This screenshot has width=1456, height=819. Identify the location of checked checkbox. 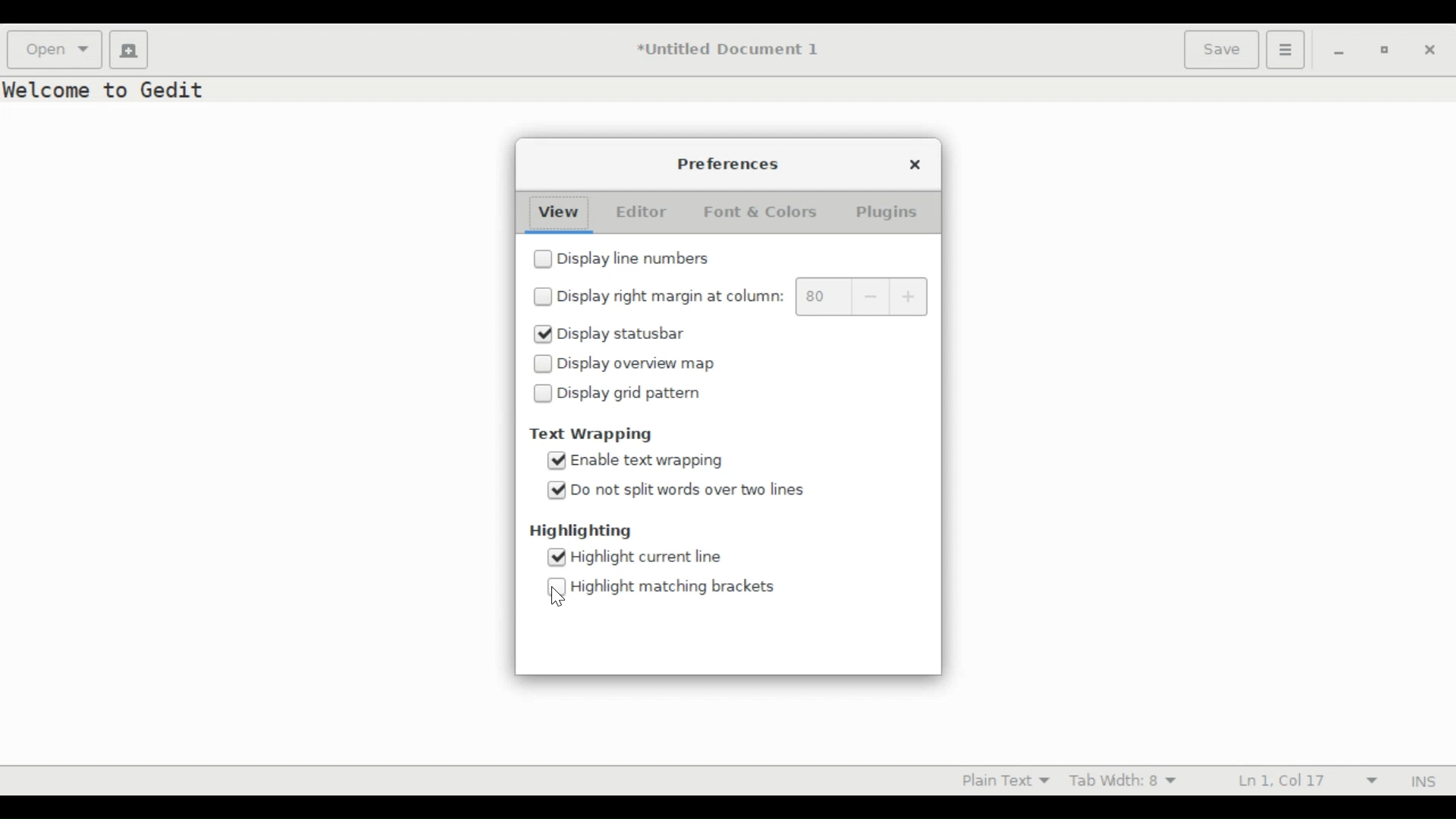
(544, 334).